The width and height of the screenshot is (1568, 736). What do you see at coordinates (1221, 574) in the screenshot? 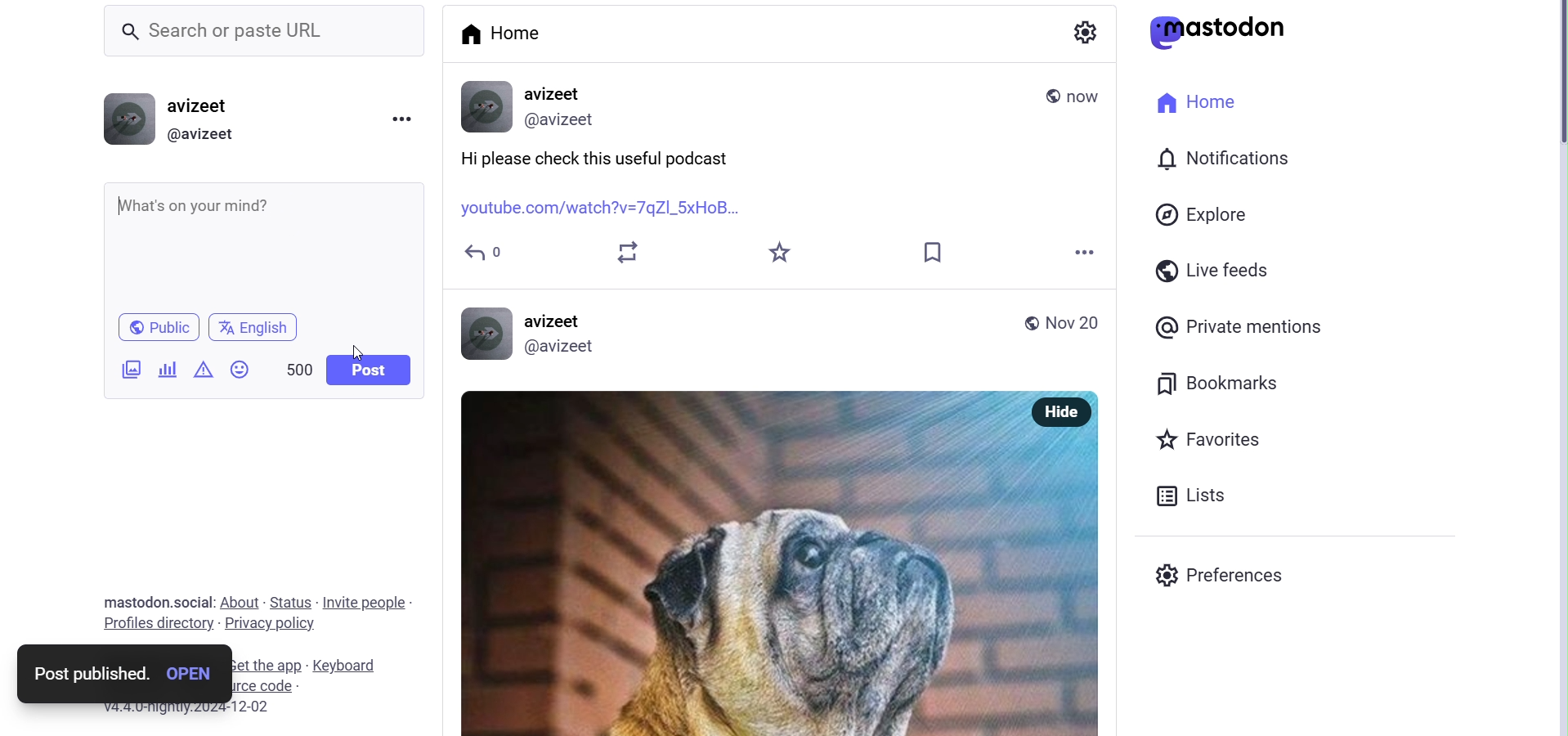
I see `preferences` at bounding box center [1221, 574].